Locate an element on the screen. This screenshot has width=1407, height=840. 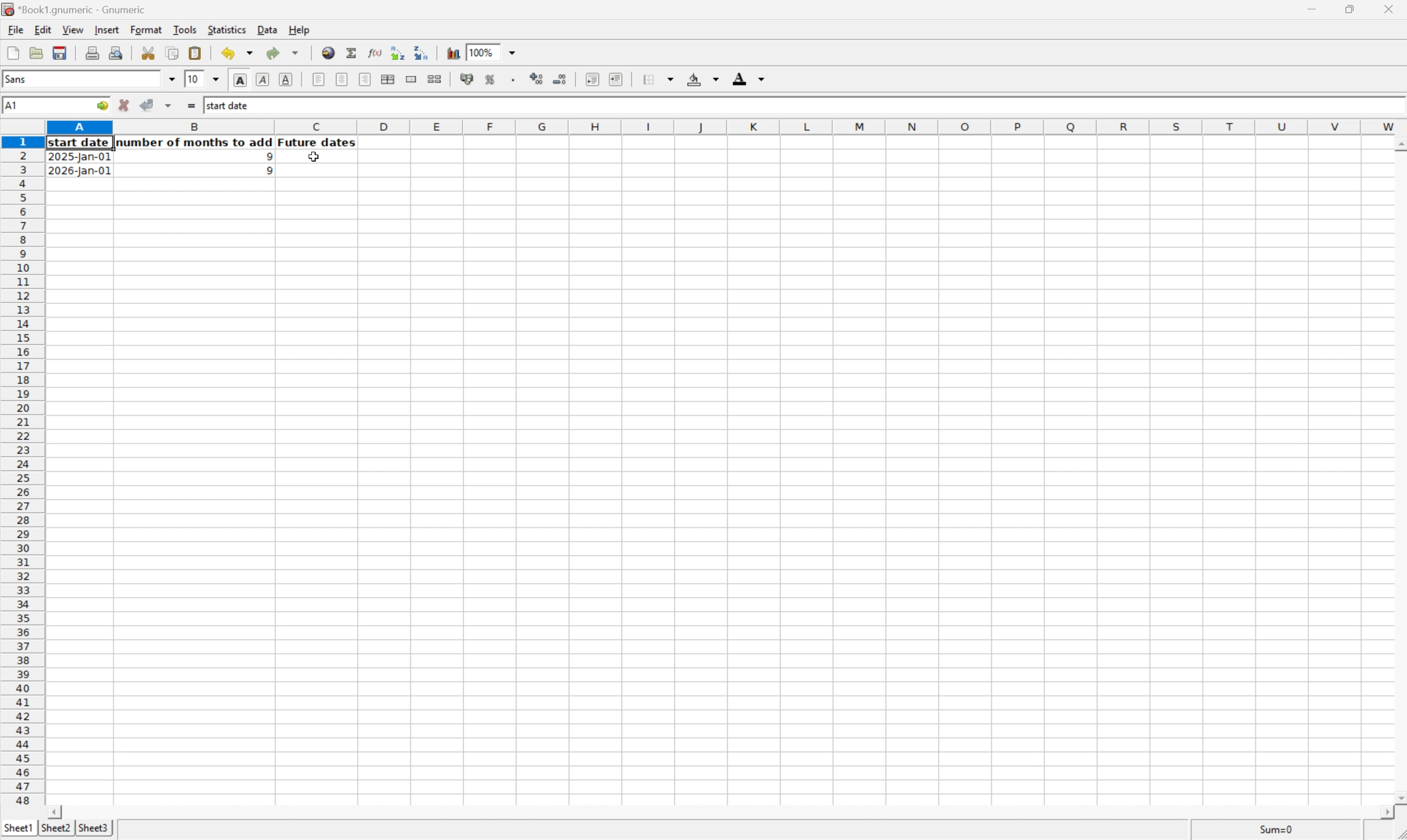
number of months to add is located at coordinates (195, 143).